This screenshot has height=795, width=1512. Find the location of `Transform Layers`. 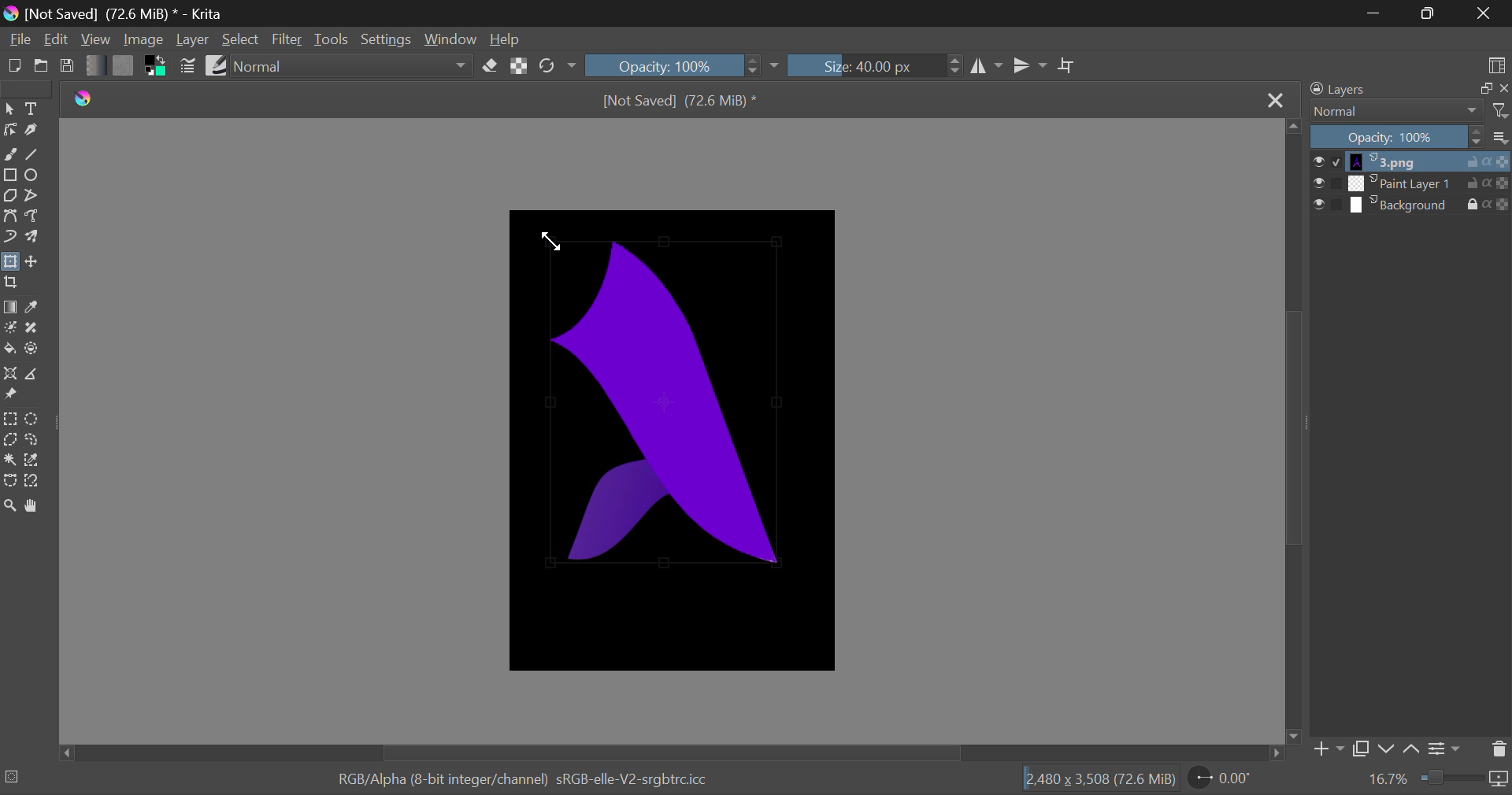

Transform Layers is located at coordinates (10, 264).